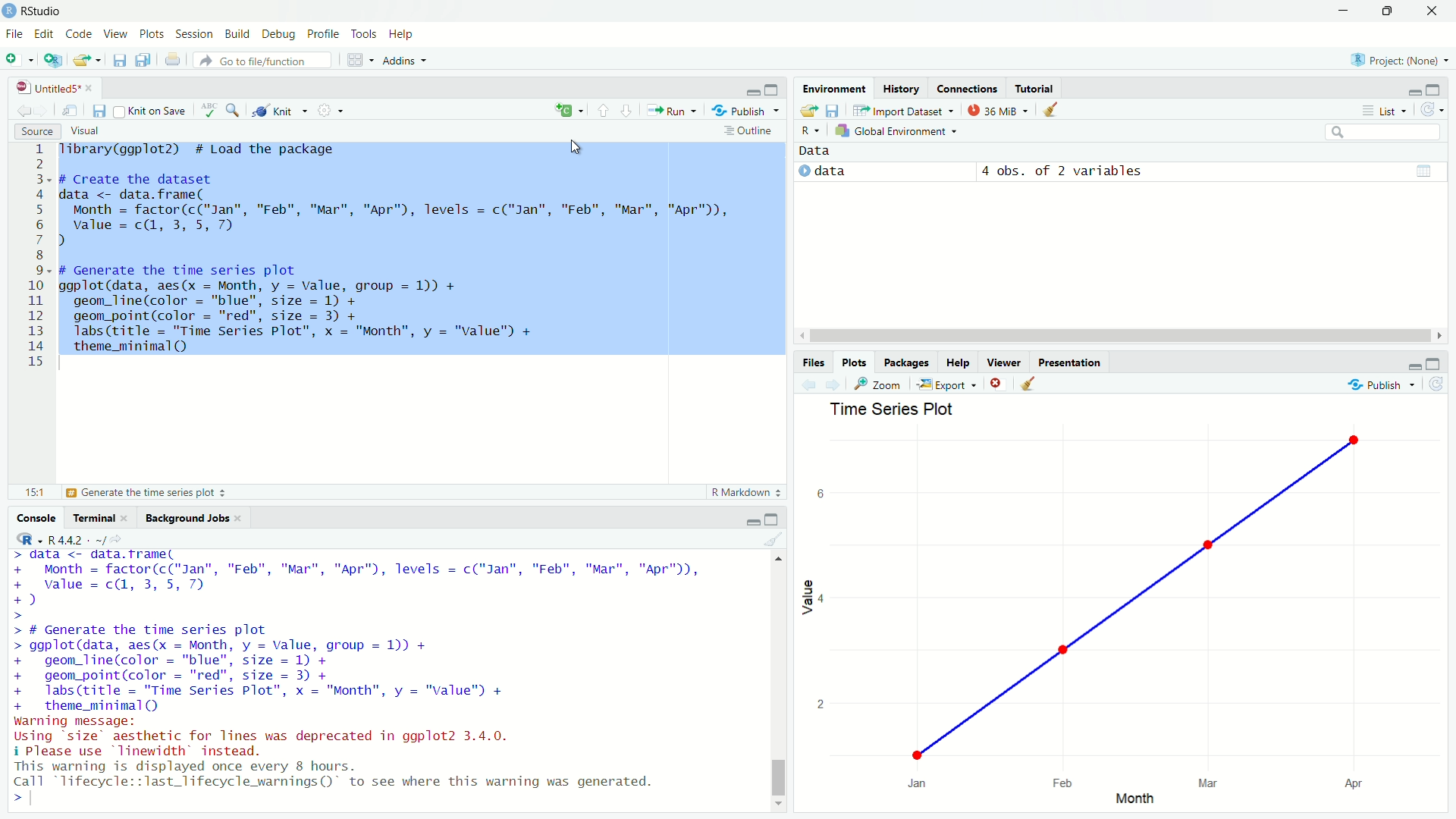 This screenshot has height=819, width=1456. What do you see at coordinates (1380, 110) in the screenshot?
I see `list` at bounding box center [1380, 110].